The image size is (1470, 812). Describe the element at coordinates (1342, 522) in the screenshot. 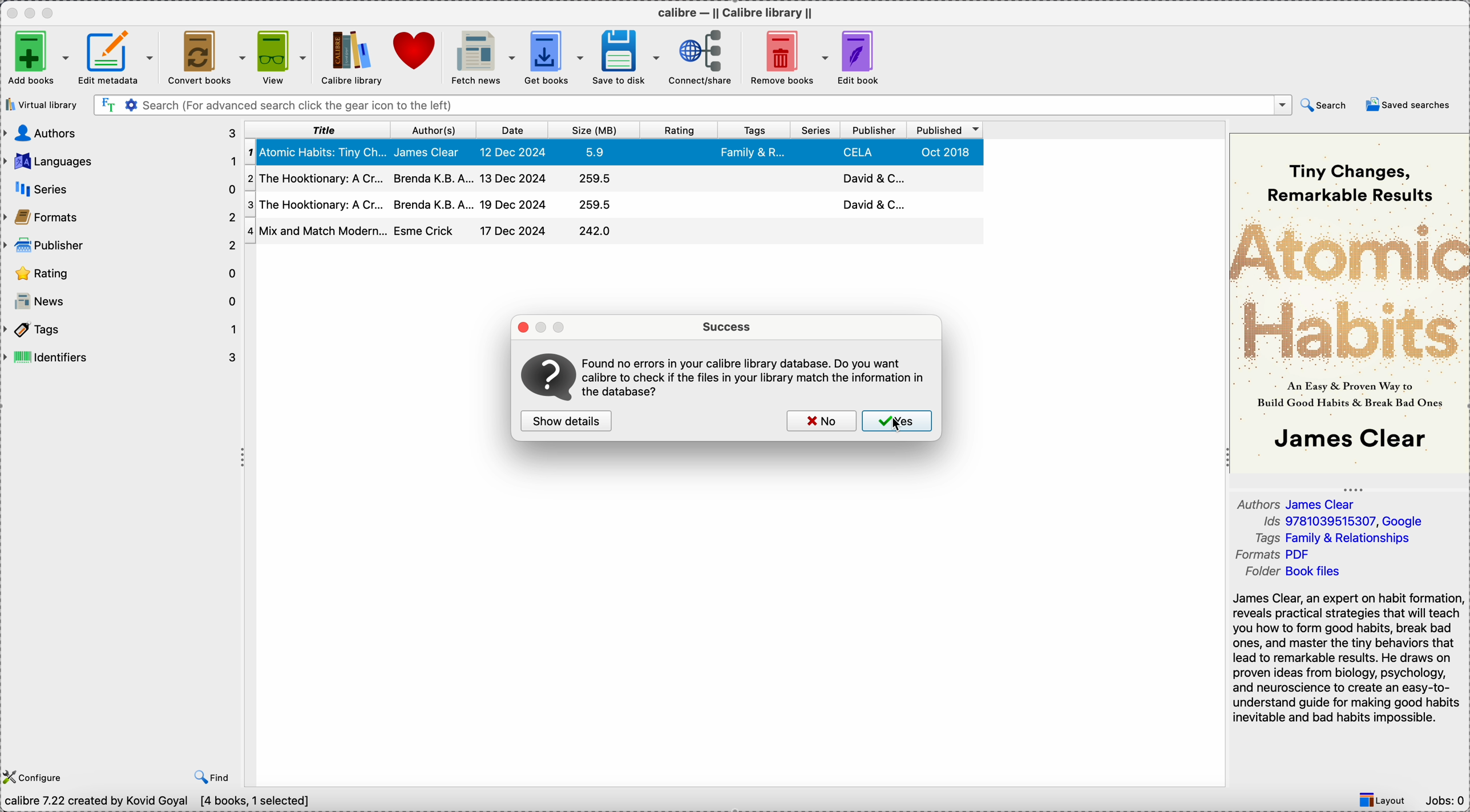

I see `ads` at that location.